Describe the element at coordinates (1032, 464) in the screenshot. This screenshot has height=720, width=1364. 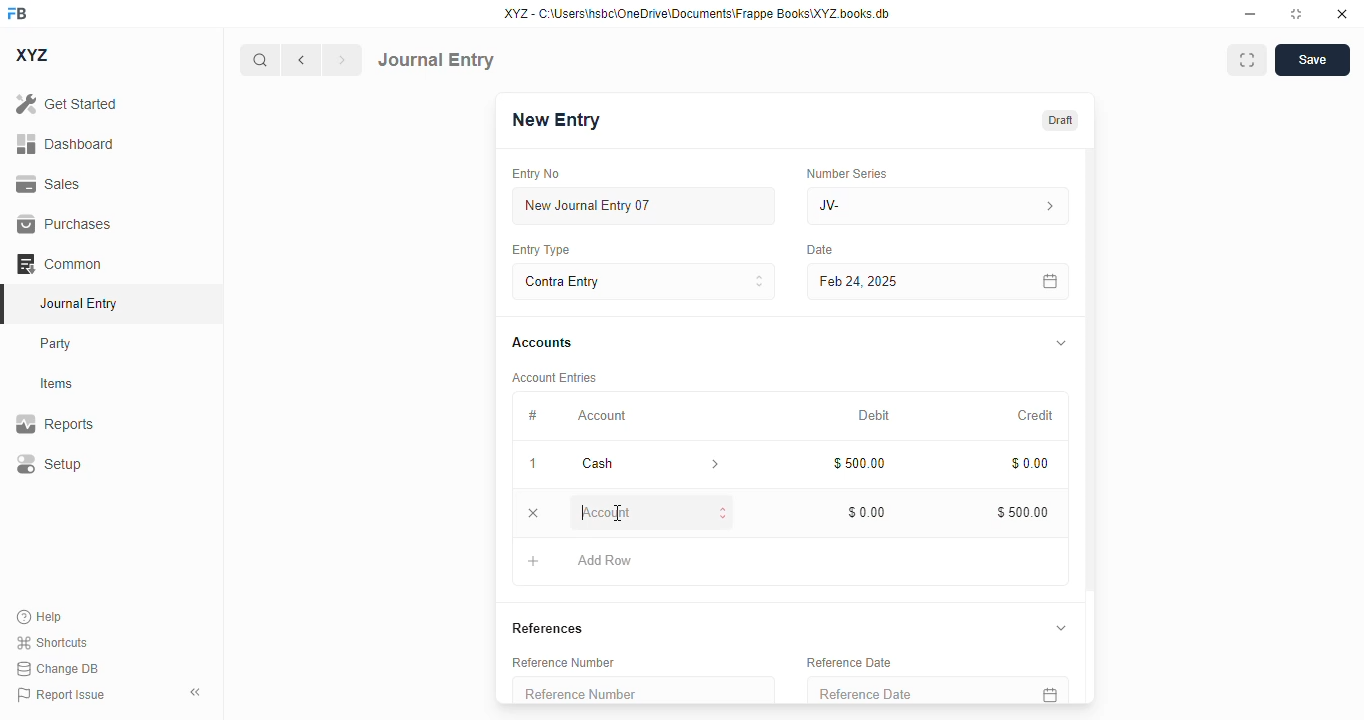
I see `$0.00` at that location.